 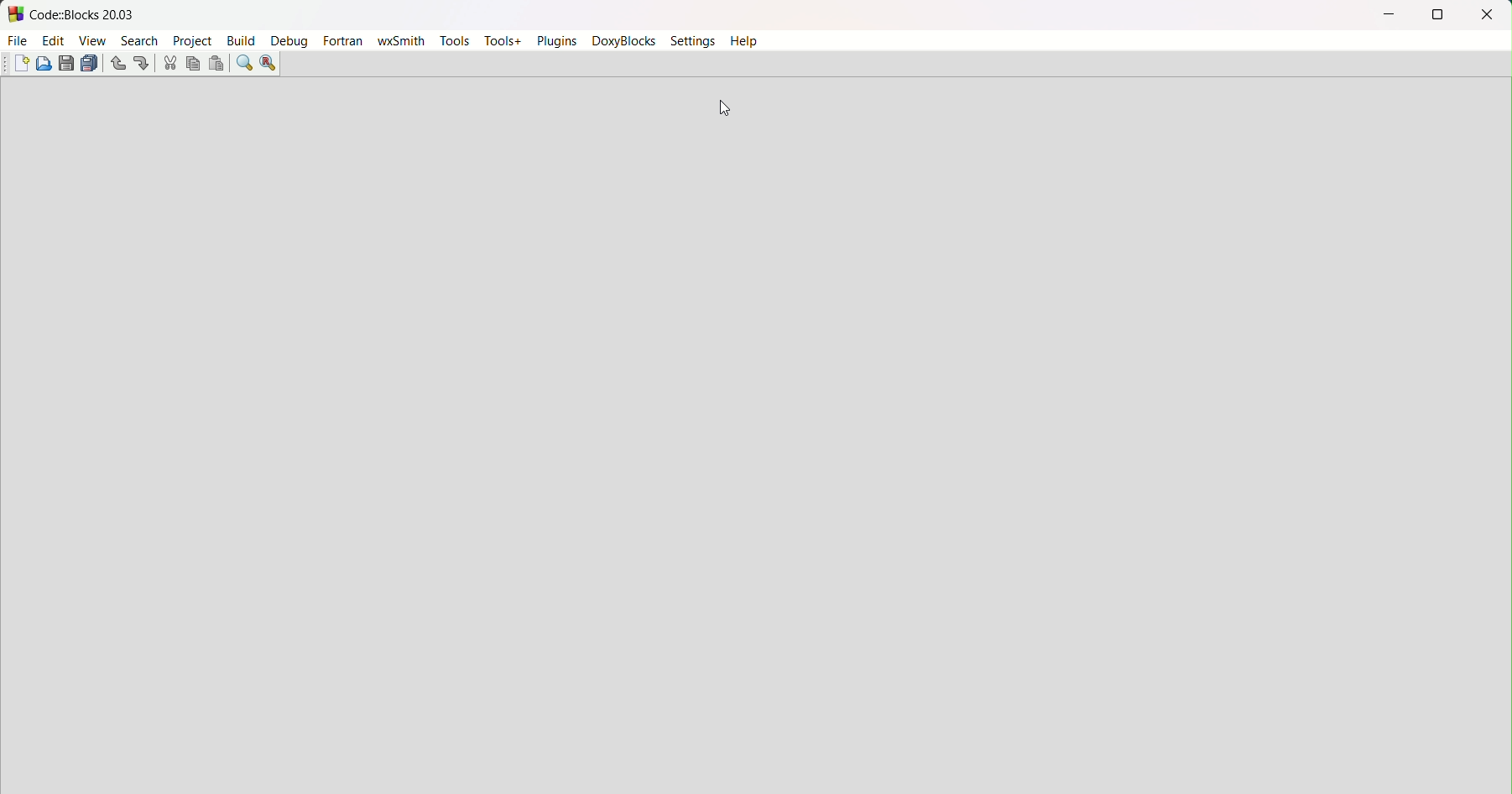 I want to click on new file, so click(x=23, y=65).